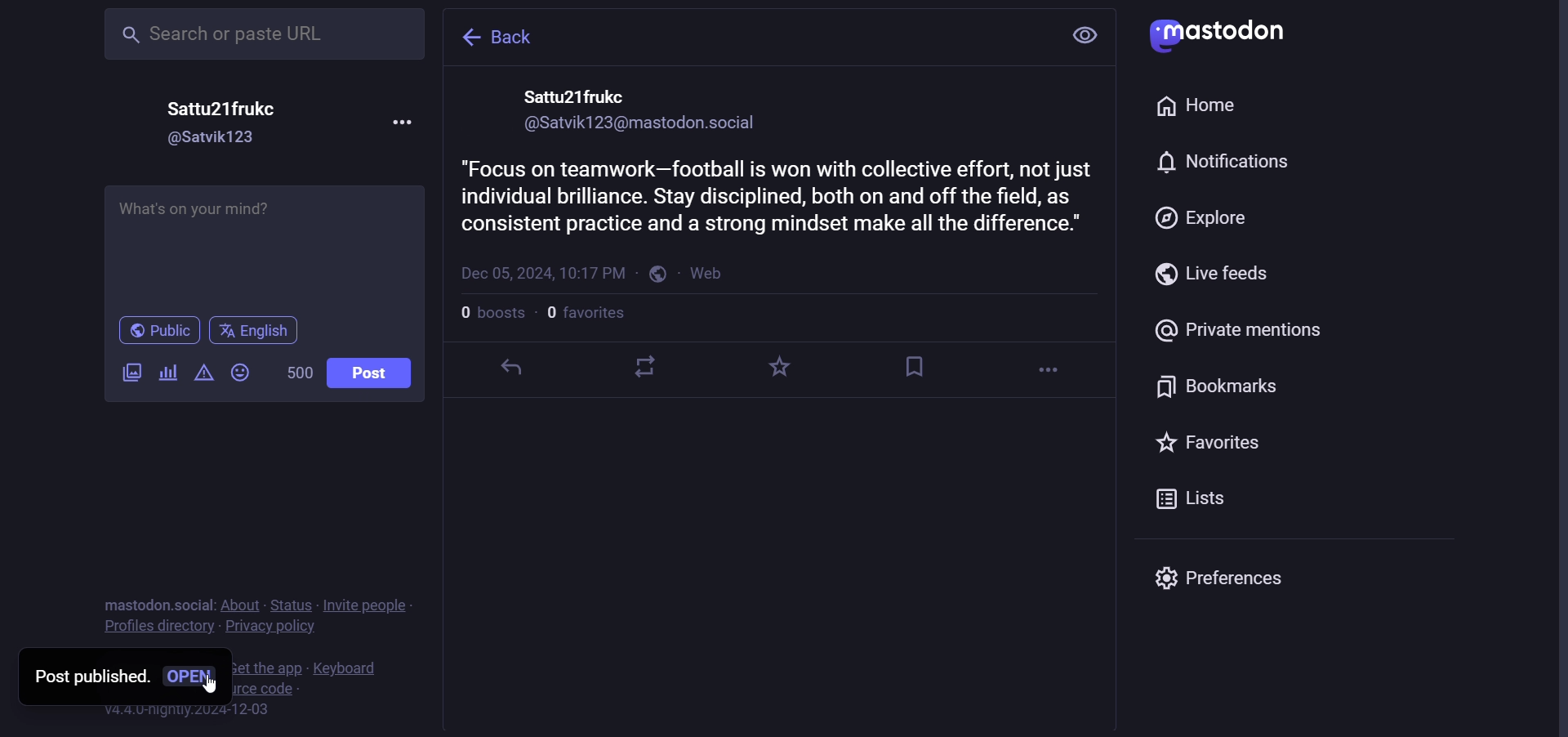 This screenshot has width=1568, height=737. Describe the element at coordinates (1218, 577) in the screenshot. I see `preferences` at that location.